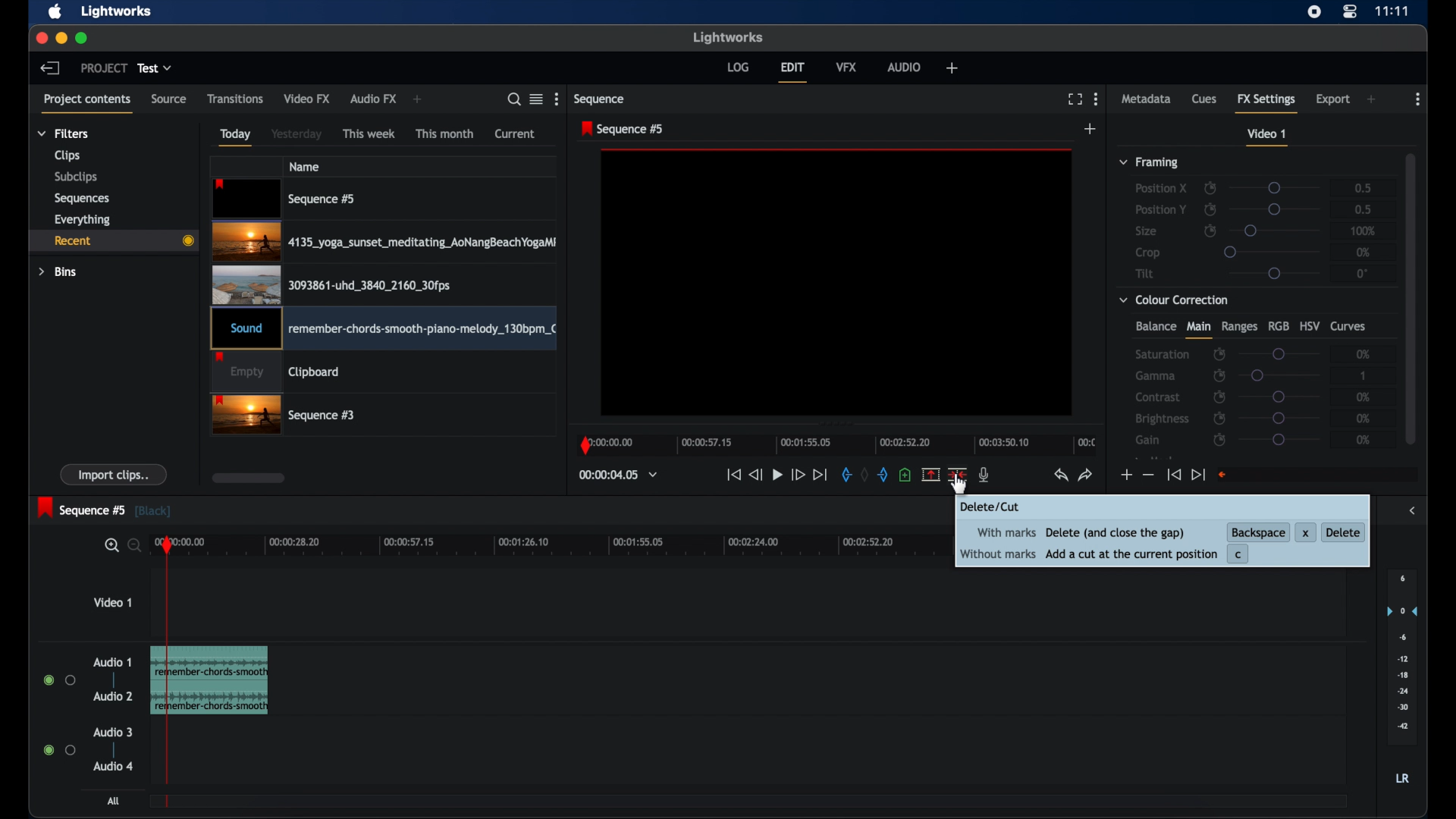  What do you see at coordinates (1276, 188) in the screenshot?
I see `slider` at bounding box center [1276, 188].